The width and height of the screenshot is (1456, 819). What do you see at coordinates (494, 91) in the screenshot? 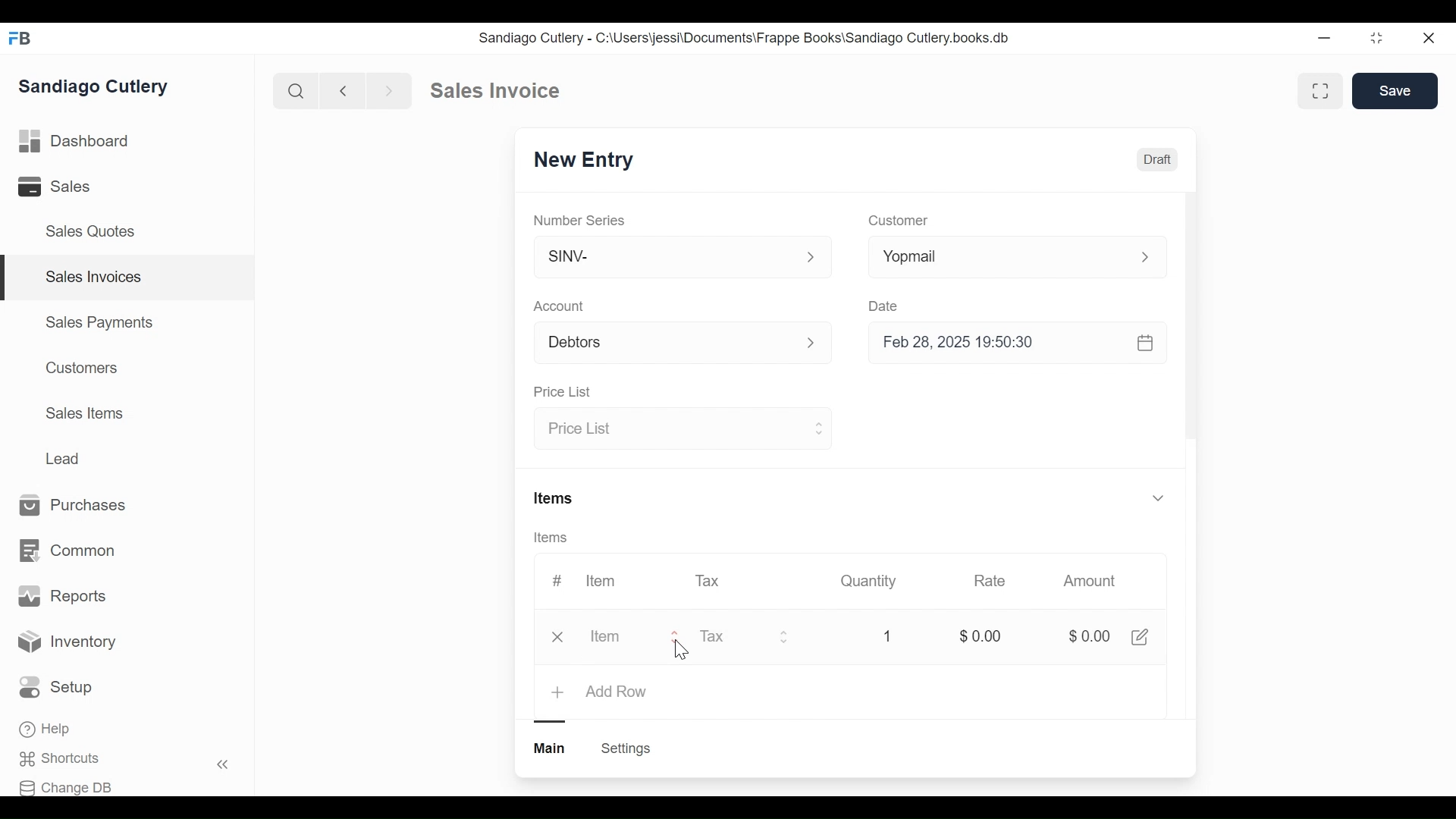
I see `Sales Invoice` at bounding box center [494, 91].